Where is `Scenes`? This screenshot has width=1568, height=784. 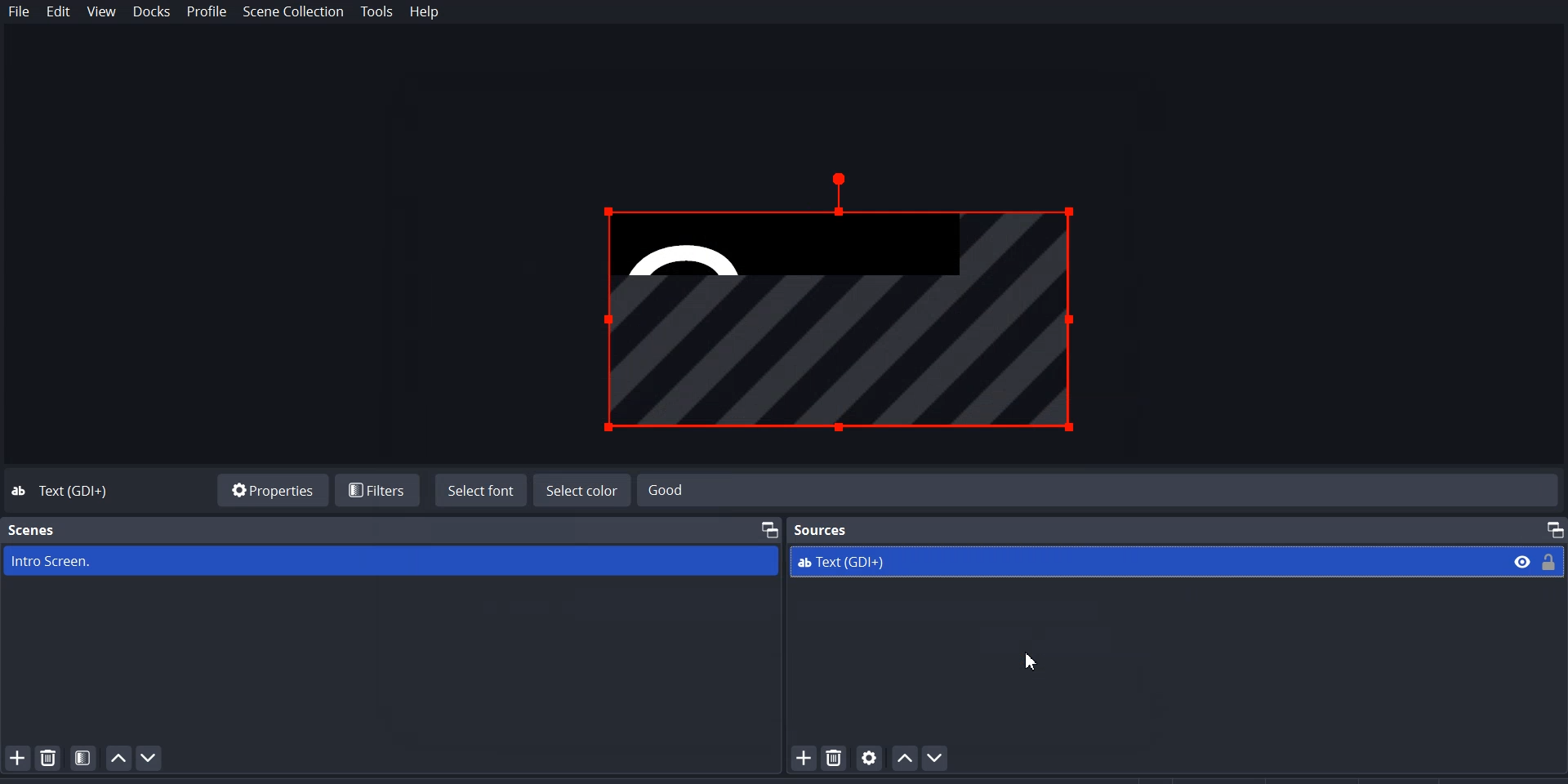 Scenes is located at coordinates (33, 530).